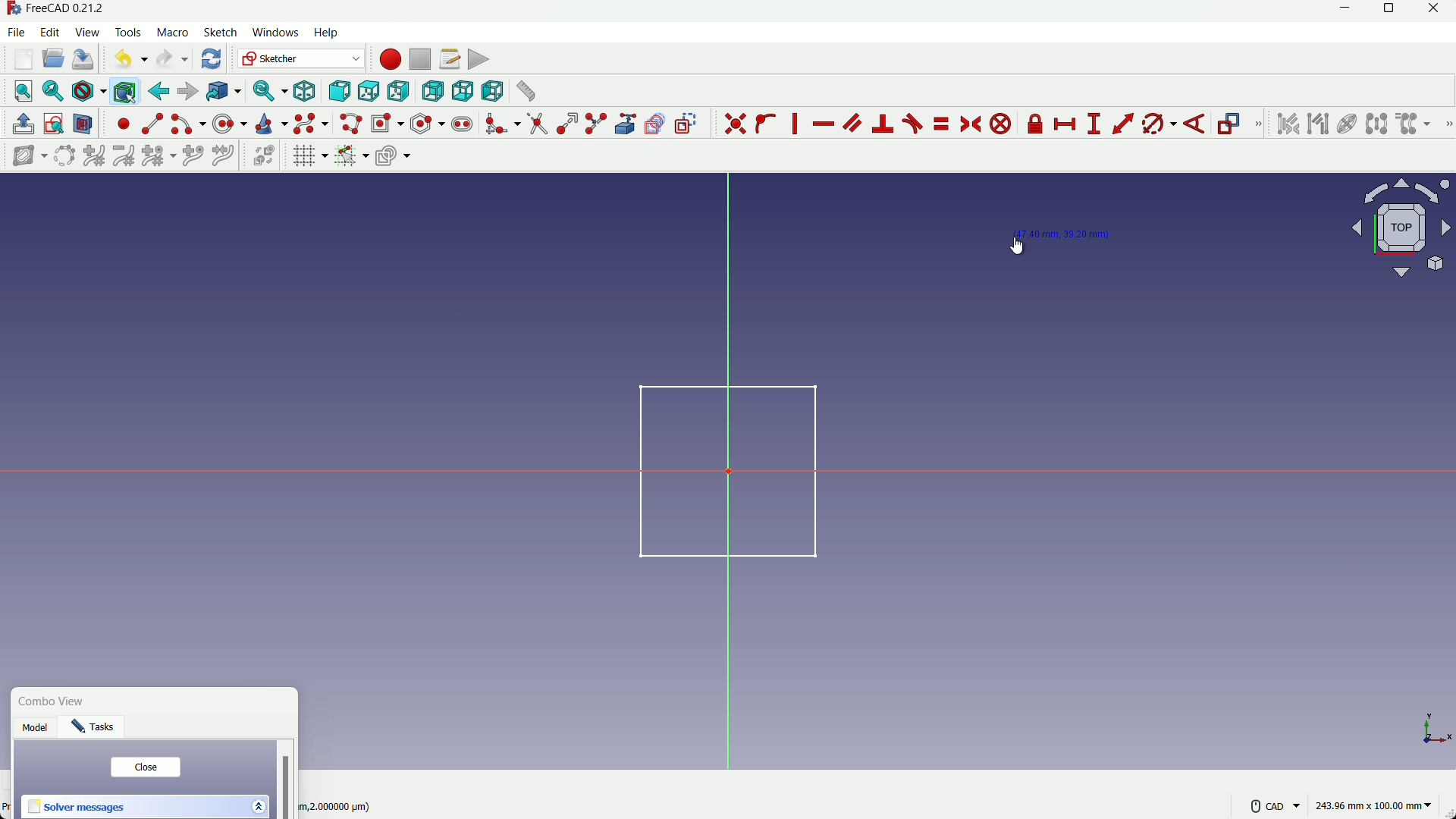  I want to click on rotate or change view, so click(1402, 227).